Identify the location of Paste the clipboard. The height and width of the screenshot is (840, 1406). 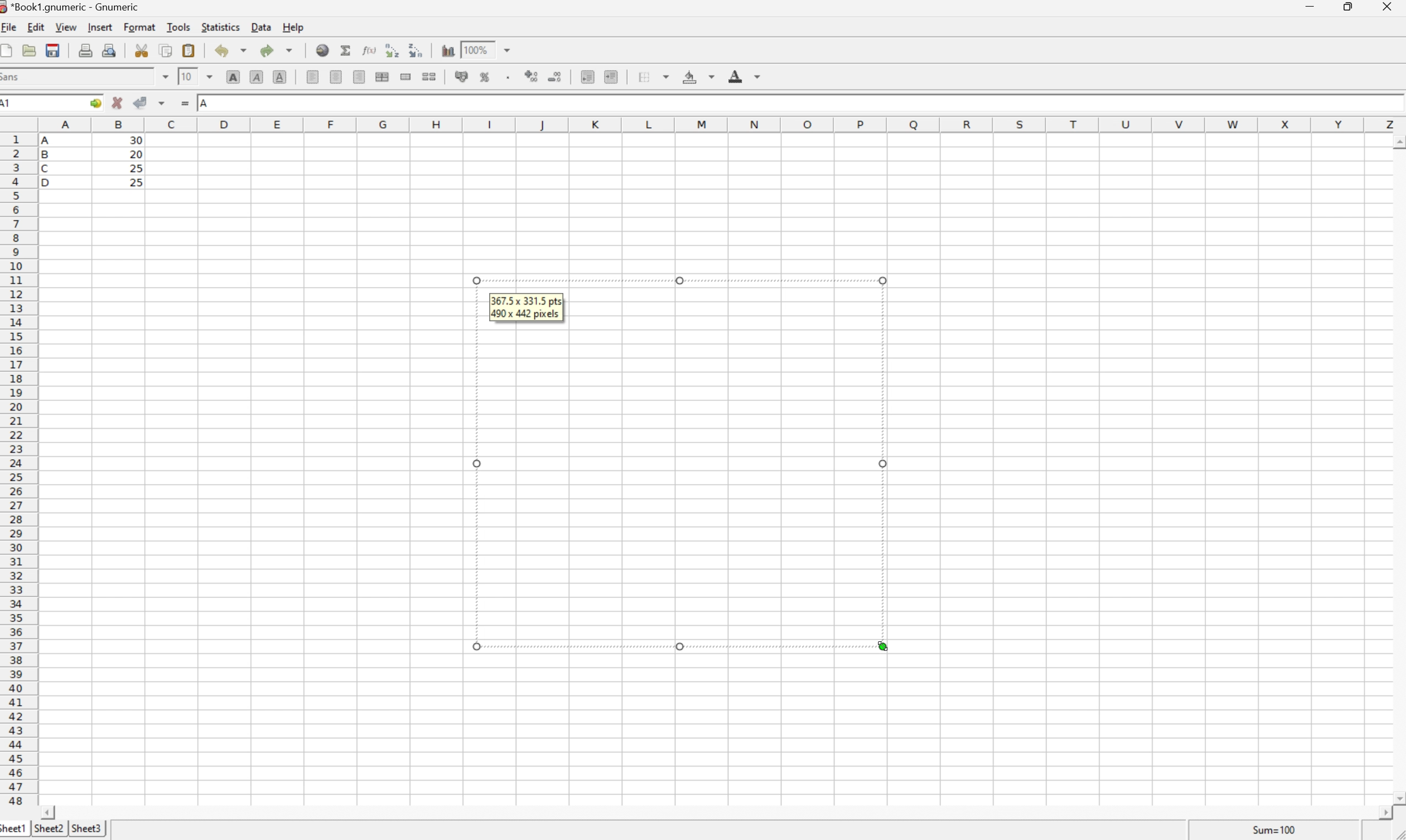
(188, 50).